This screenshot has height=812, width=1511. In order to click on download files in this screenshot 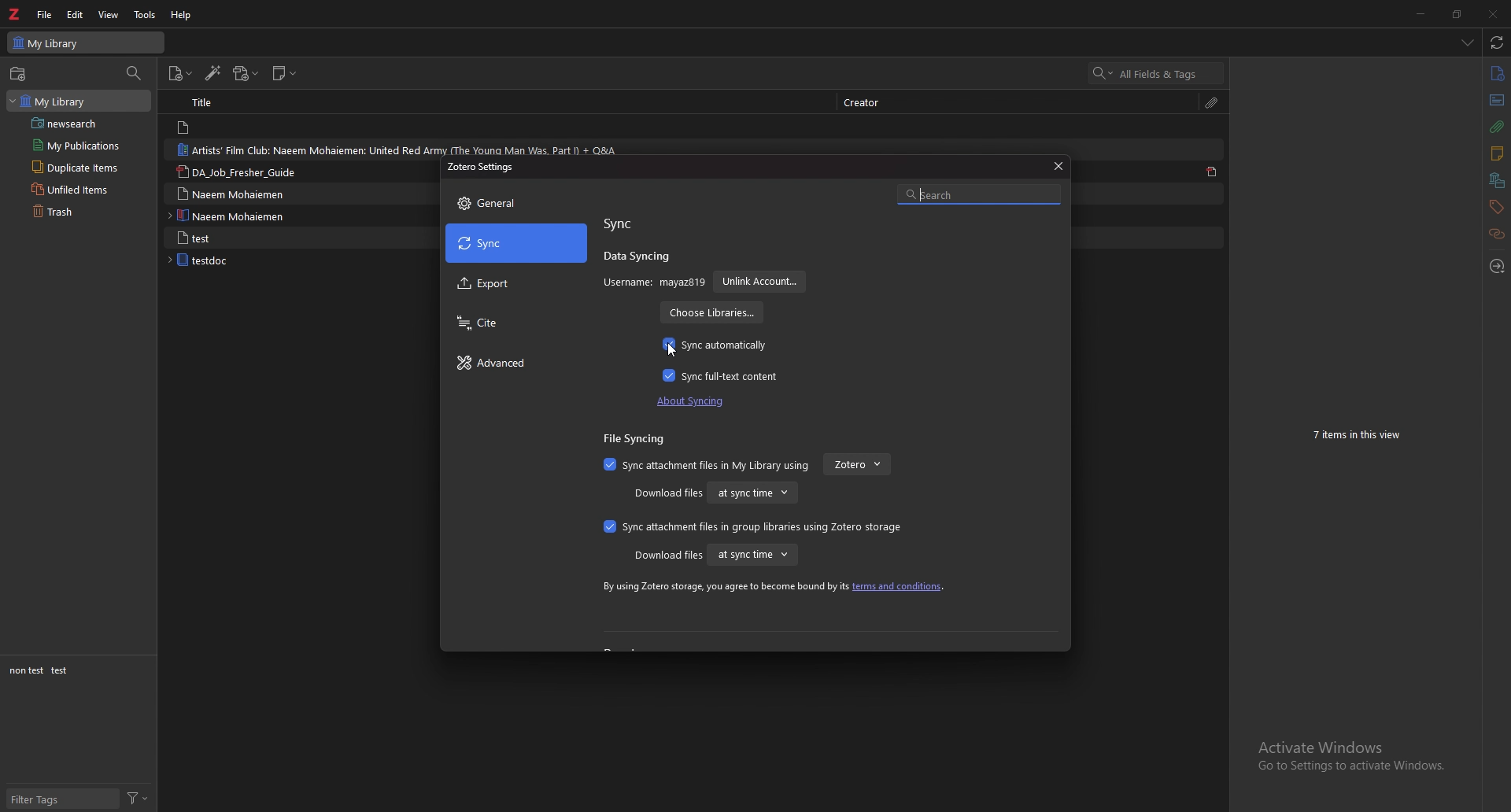, I will do `click(667, 494)`.